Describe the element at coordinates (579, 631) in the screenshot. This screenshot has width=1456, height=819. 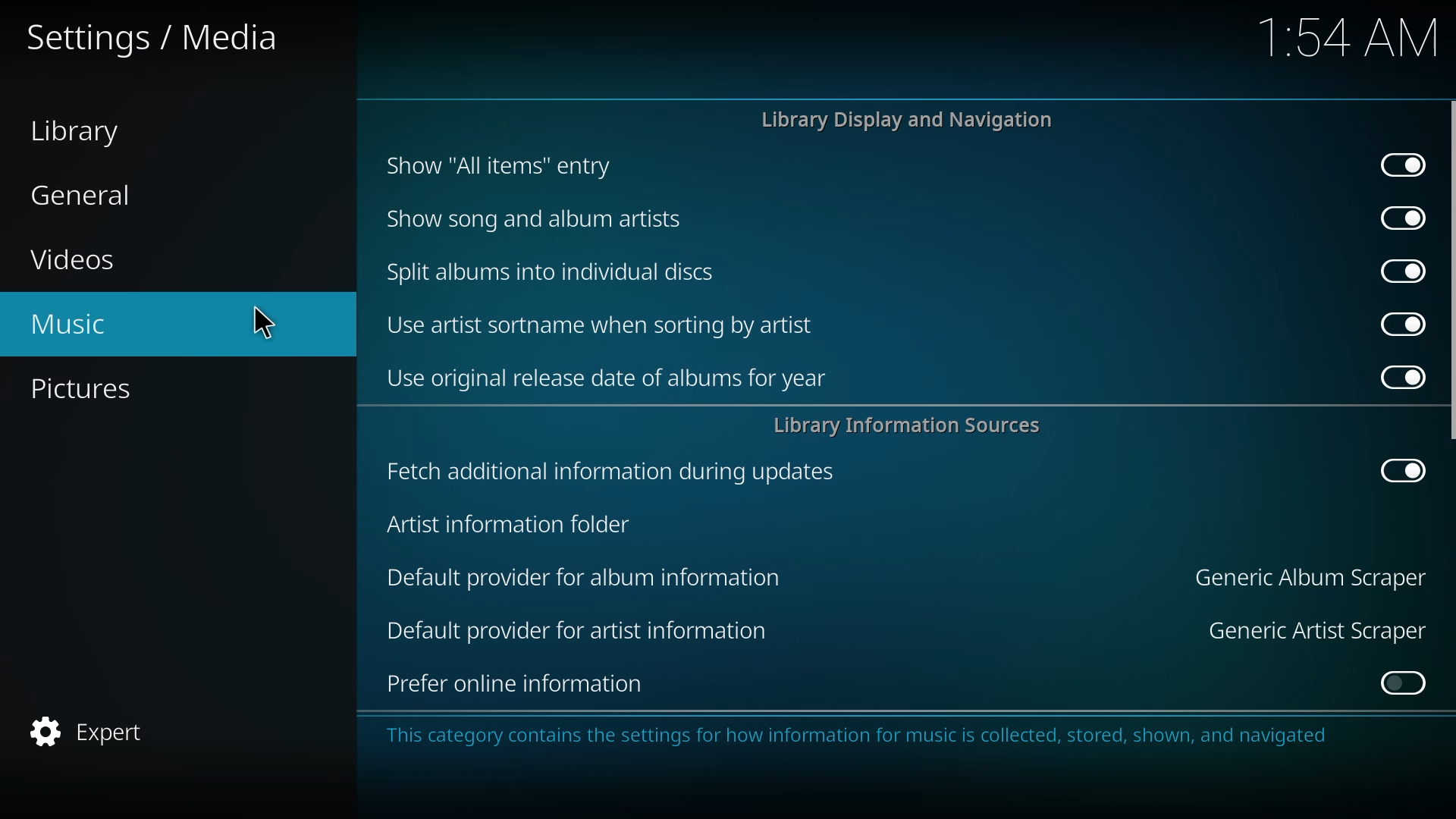
I see `default provider for artist information` at that location.